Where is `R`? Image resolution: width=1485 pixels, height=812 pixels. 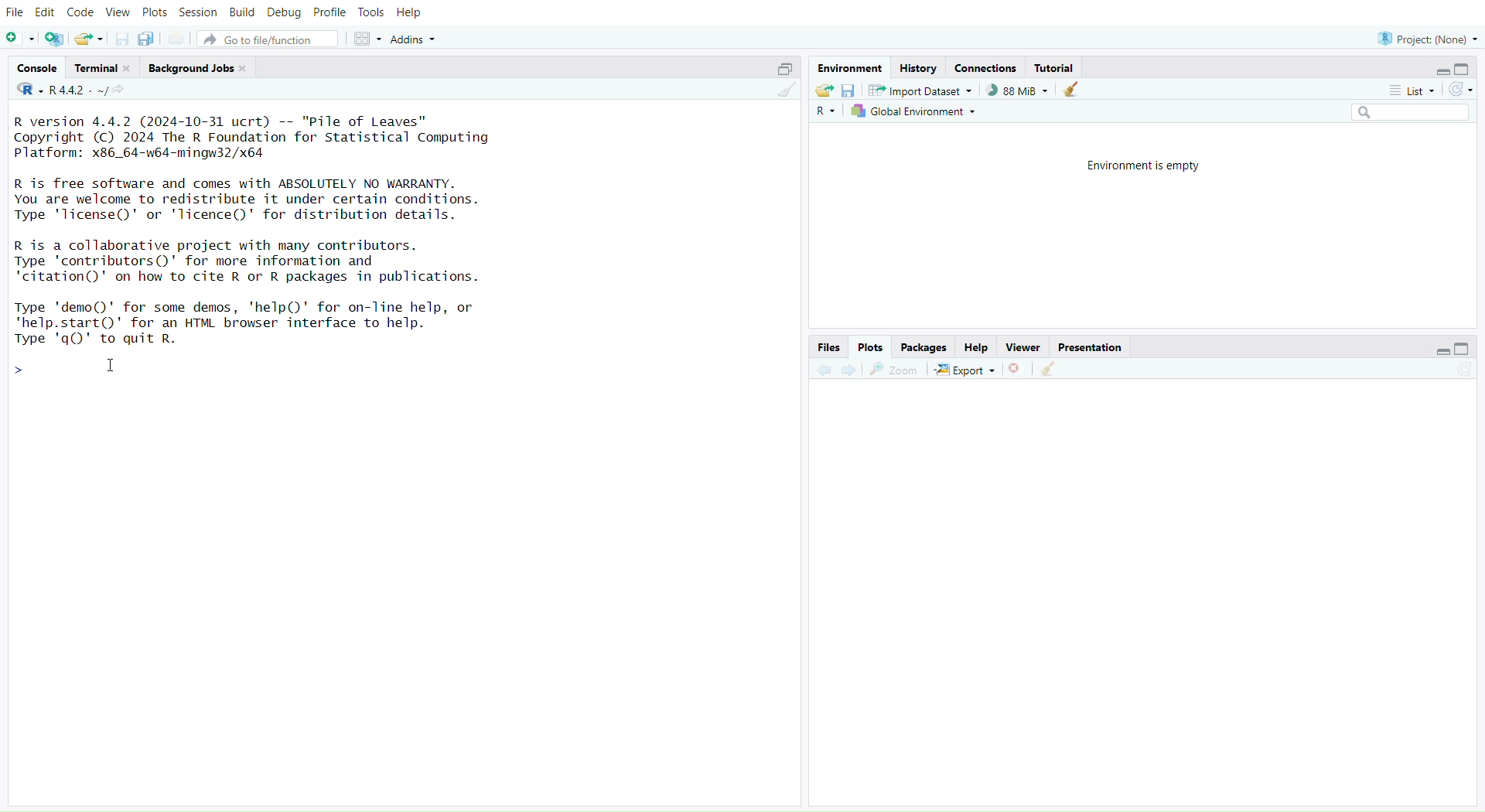
R is located at coordinates (824, 113).